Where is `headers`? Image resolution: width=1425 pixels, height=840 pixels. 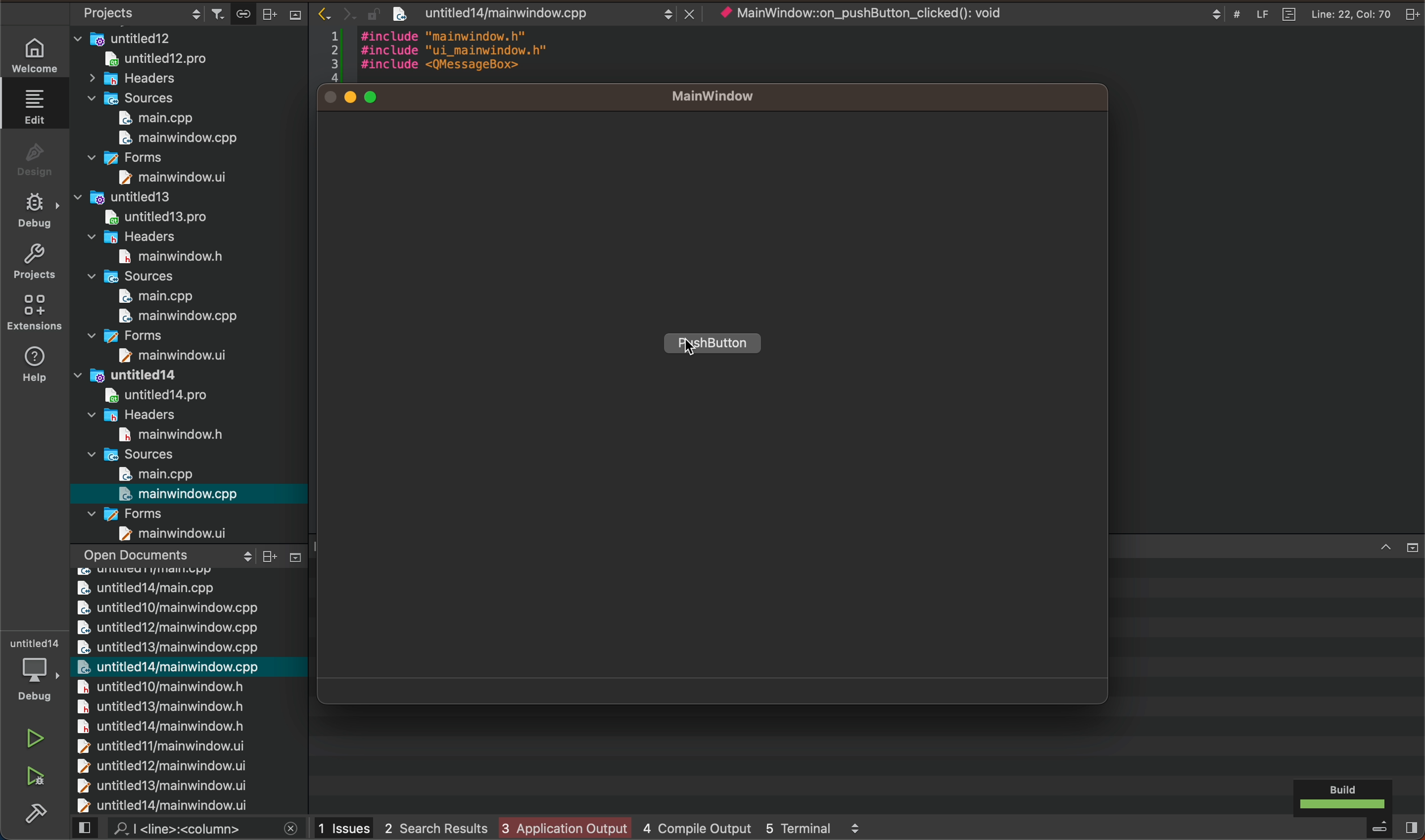 headers is located at coordinates (132, 414).